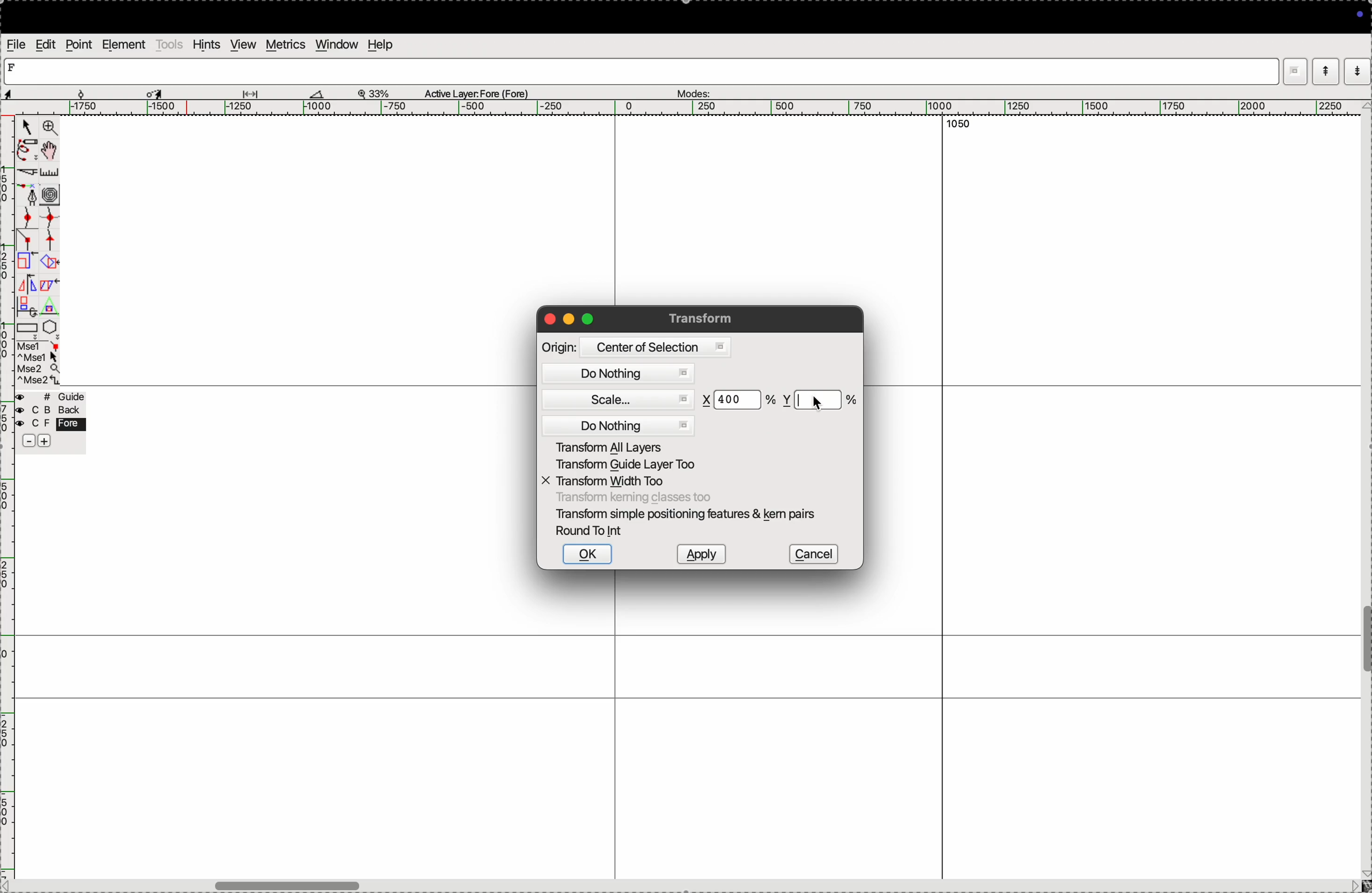 The height and width of the screenshot is (893, 1372). I want to click on zoom perecent, so click(374, 92).